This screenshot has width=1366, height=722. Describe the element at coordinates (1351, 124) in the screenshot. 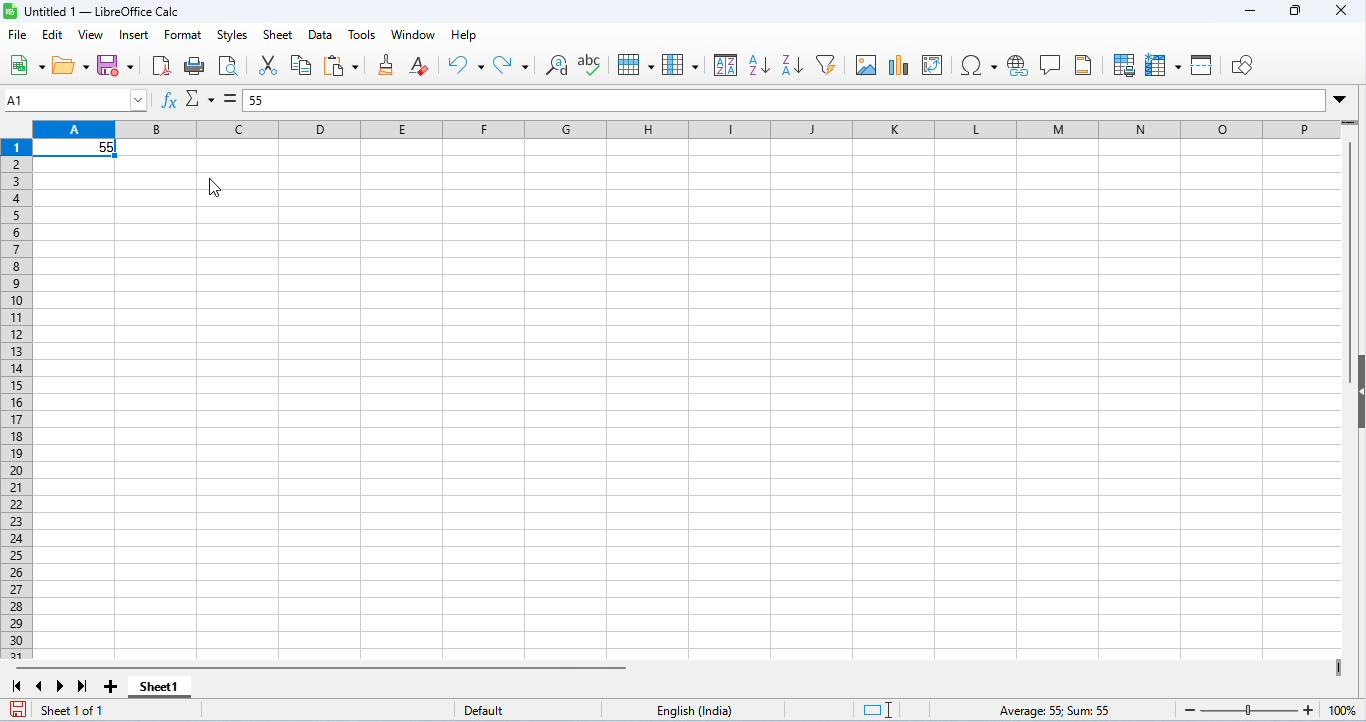

I see `drag to view more rows` at that location.